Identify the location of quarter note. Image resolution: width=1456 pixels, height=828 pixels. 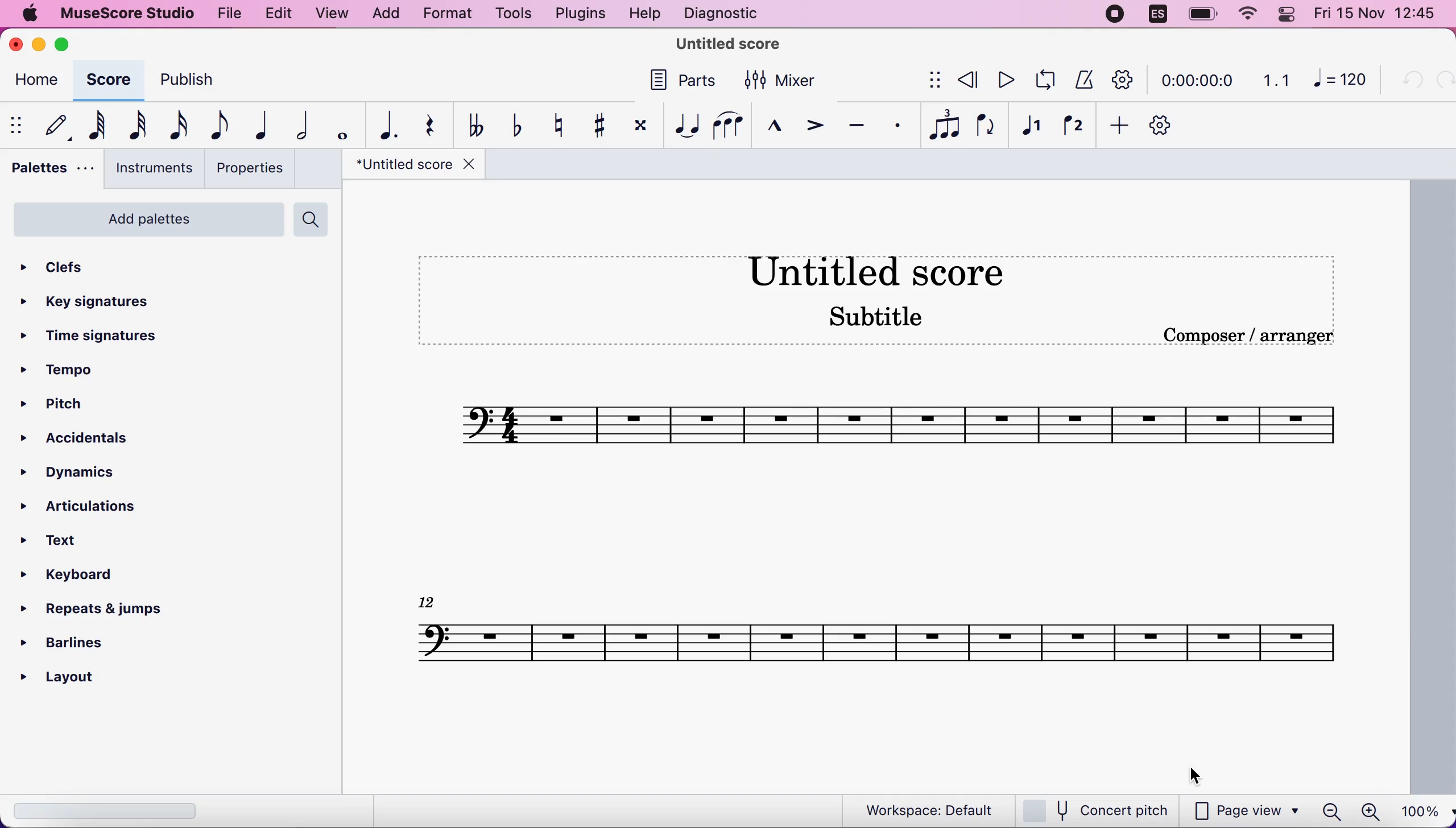
(263, 122).